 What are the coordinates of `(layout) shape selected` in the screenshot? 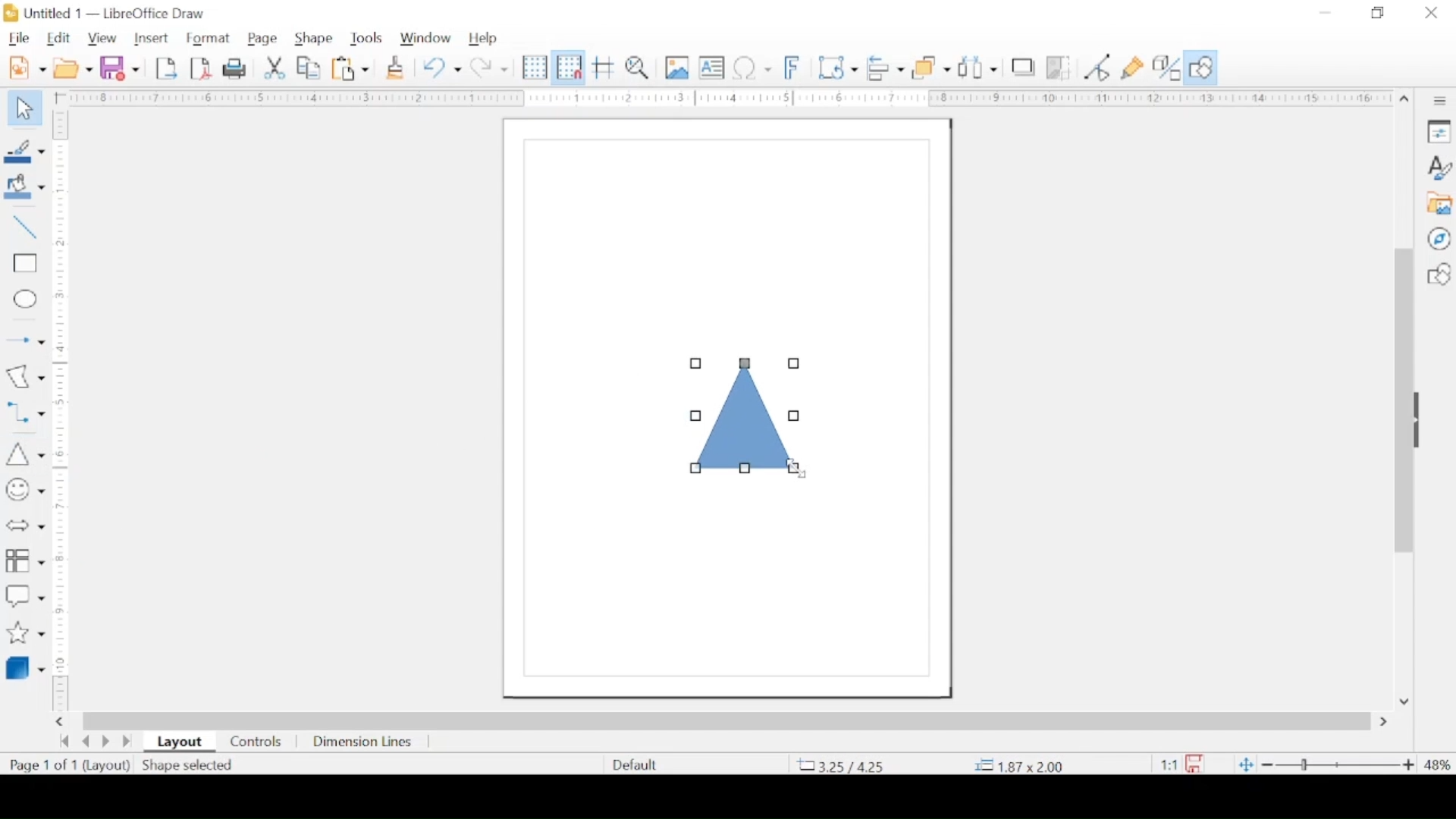 It's located at (161, 767).